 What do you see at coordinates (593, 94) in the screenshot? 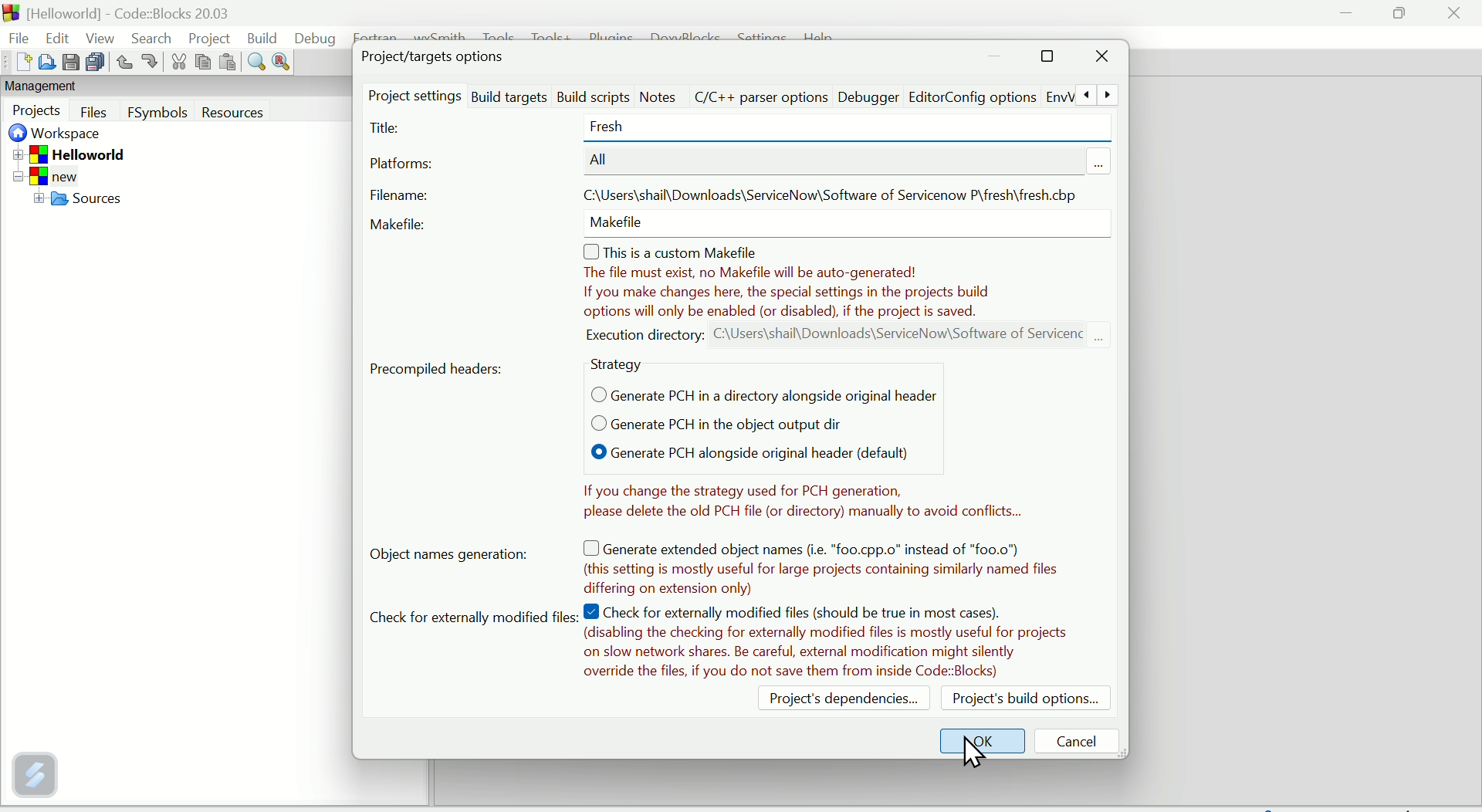
I see `Build scripts` at bounding box center [593, 94].